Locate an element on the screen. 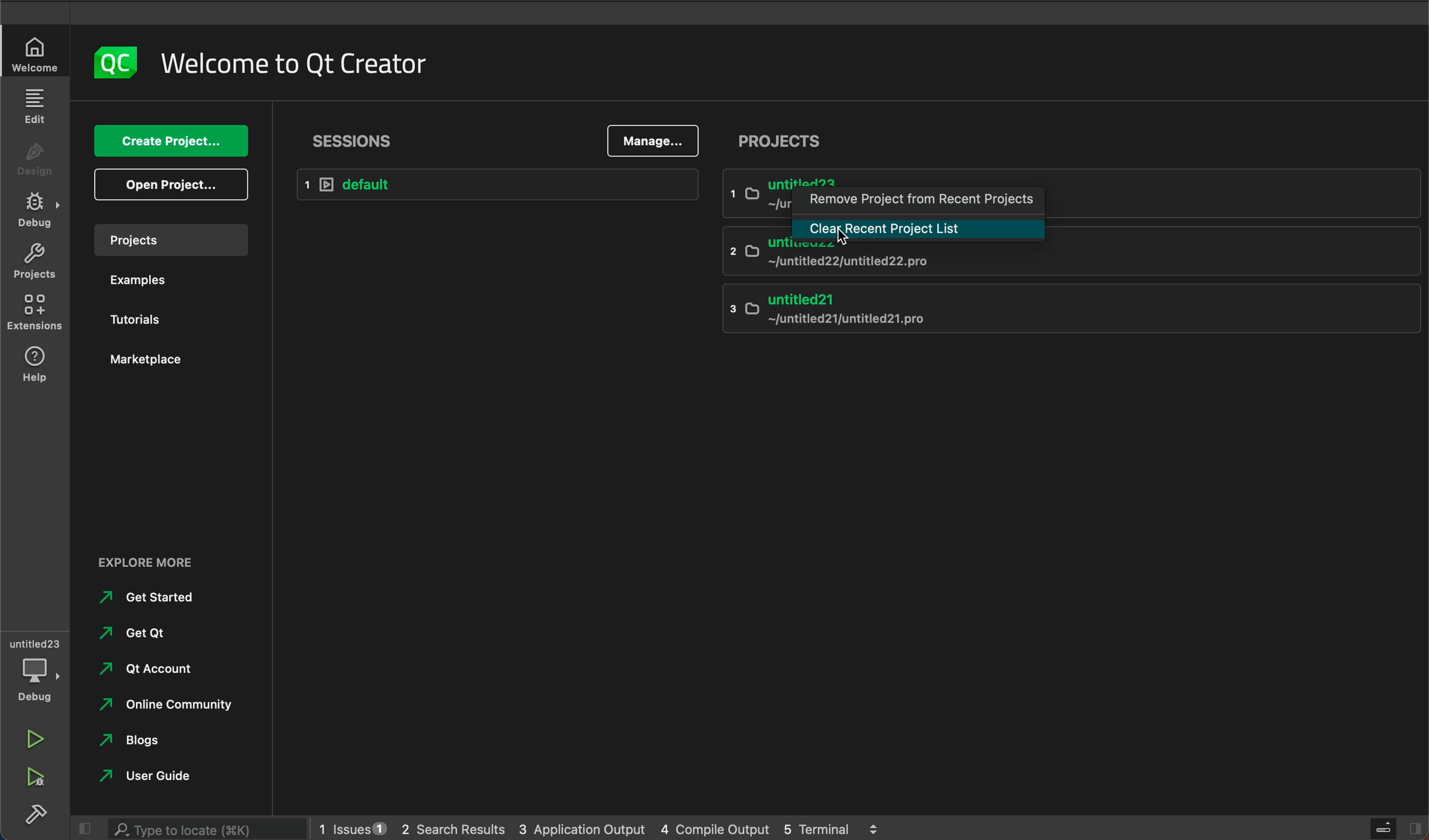  debug is located at coordinates (34, 213).